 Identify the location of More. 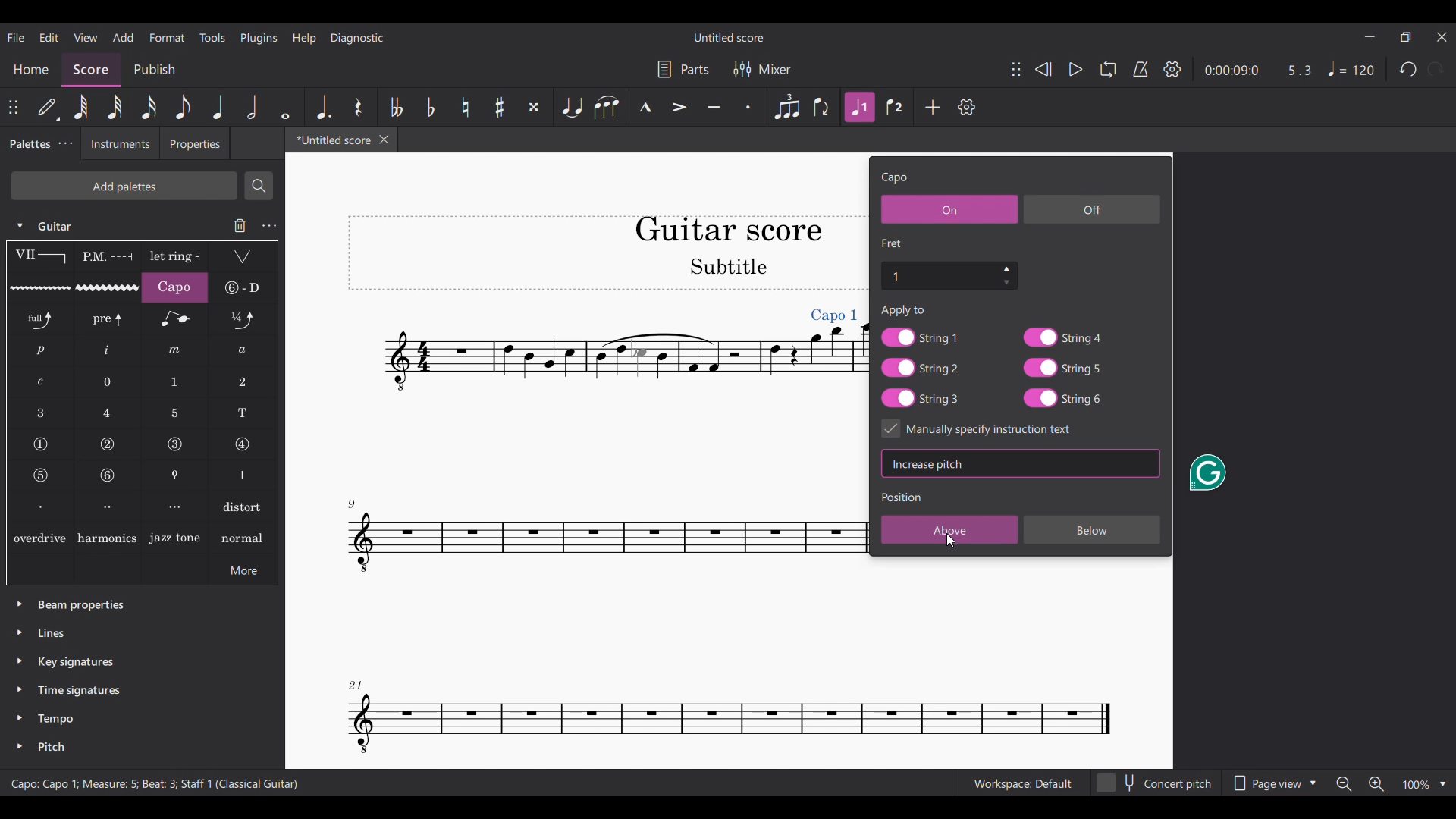
(243, 570).